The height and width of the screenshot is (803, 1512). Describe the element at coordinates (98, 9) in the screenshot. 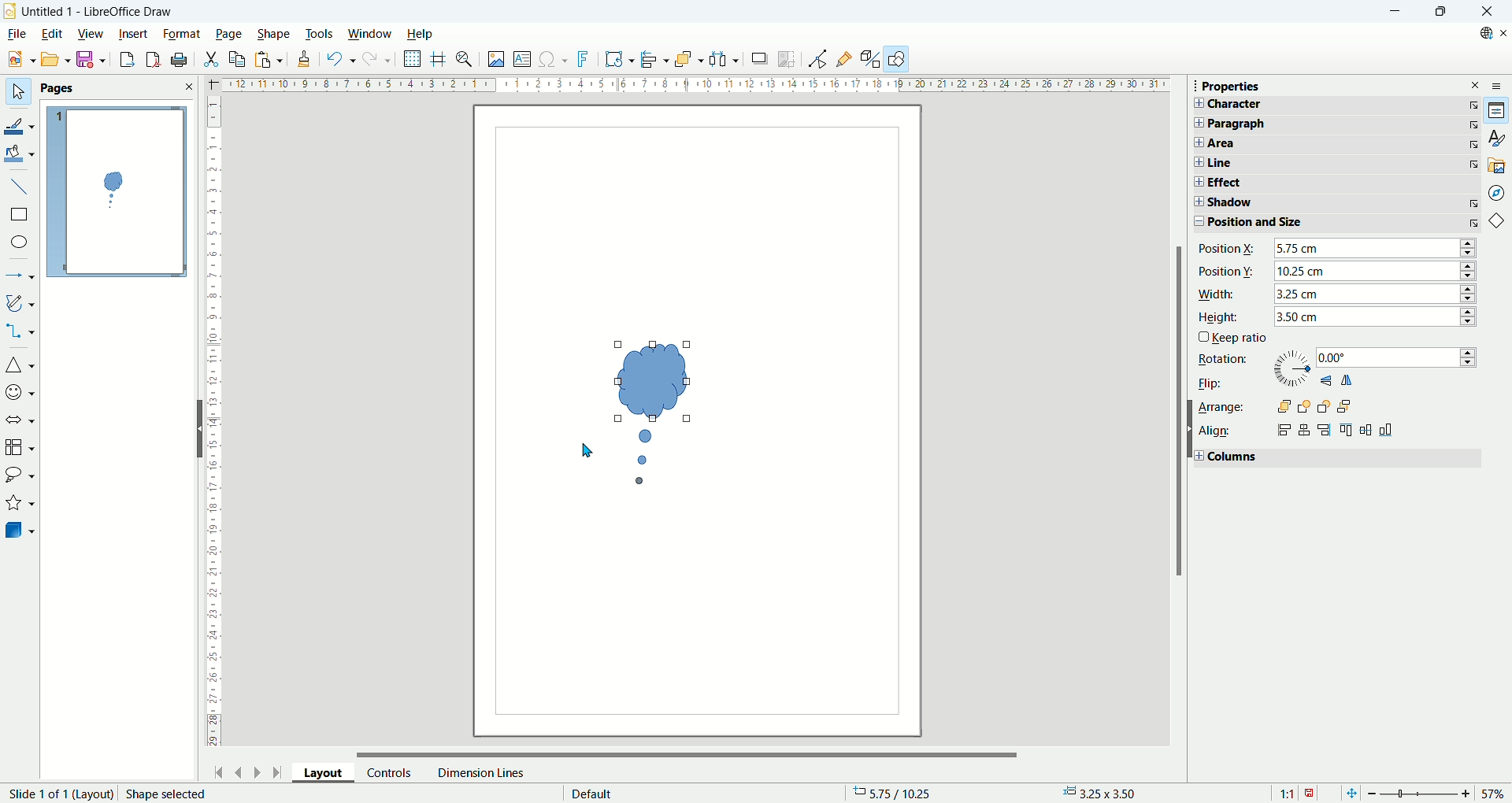

I see `Untitled 1 - LiberOffice Draw` at that location.